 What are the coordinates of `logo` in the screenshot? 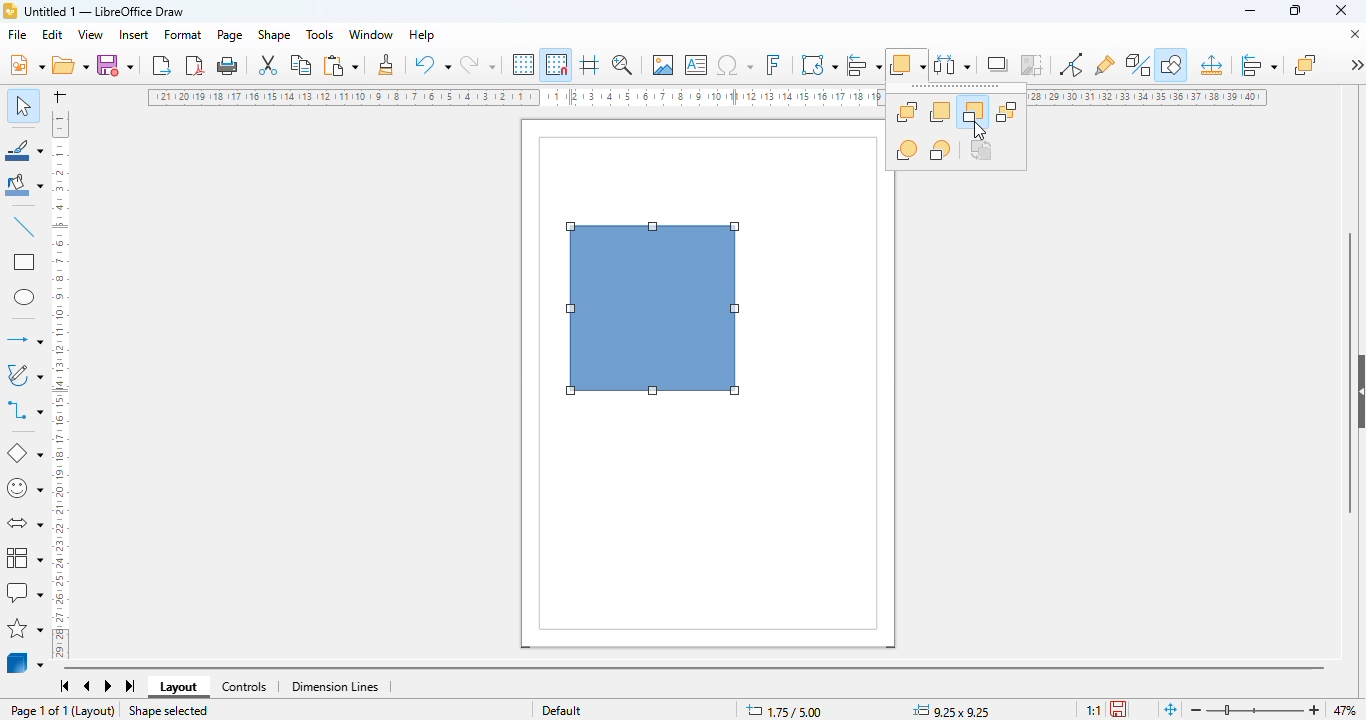 It's located at (10, 11).